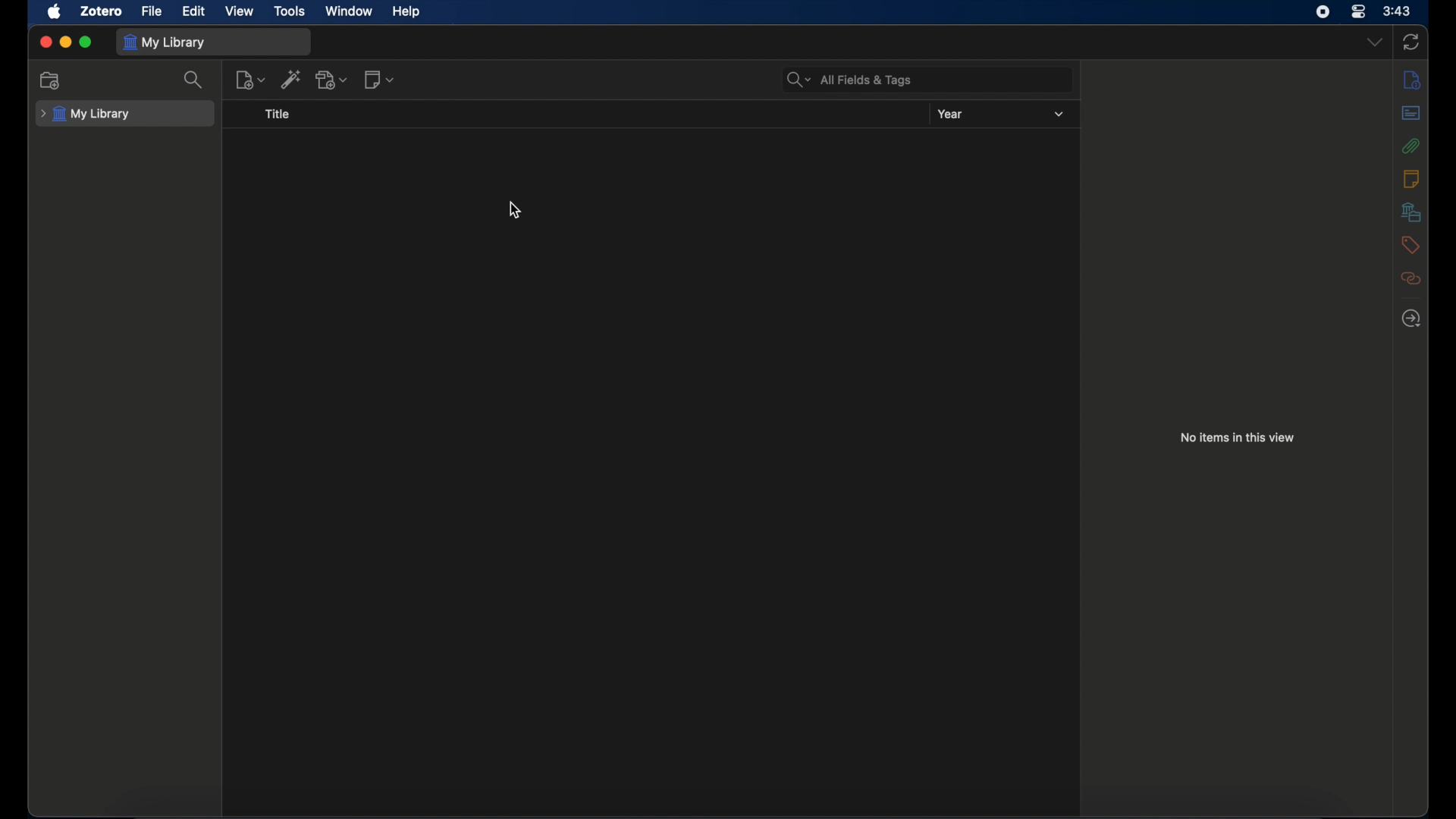 Image resolution: width=1456 pixels, height=819 pixels. I want to click on sync, so click(1411, 42).